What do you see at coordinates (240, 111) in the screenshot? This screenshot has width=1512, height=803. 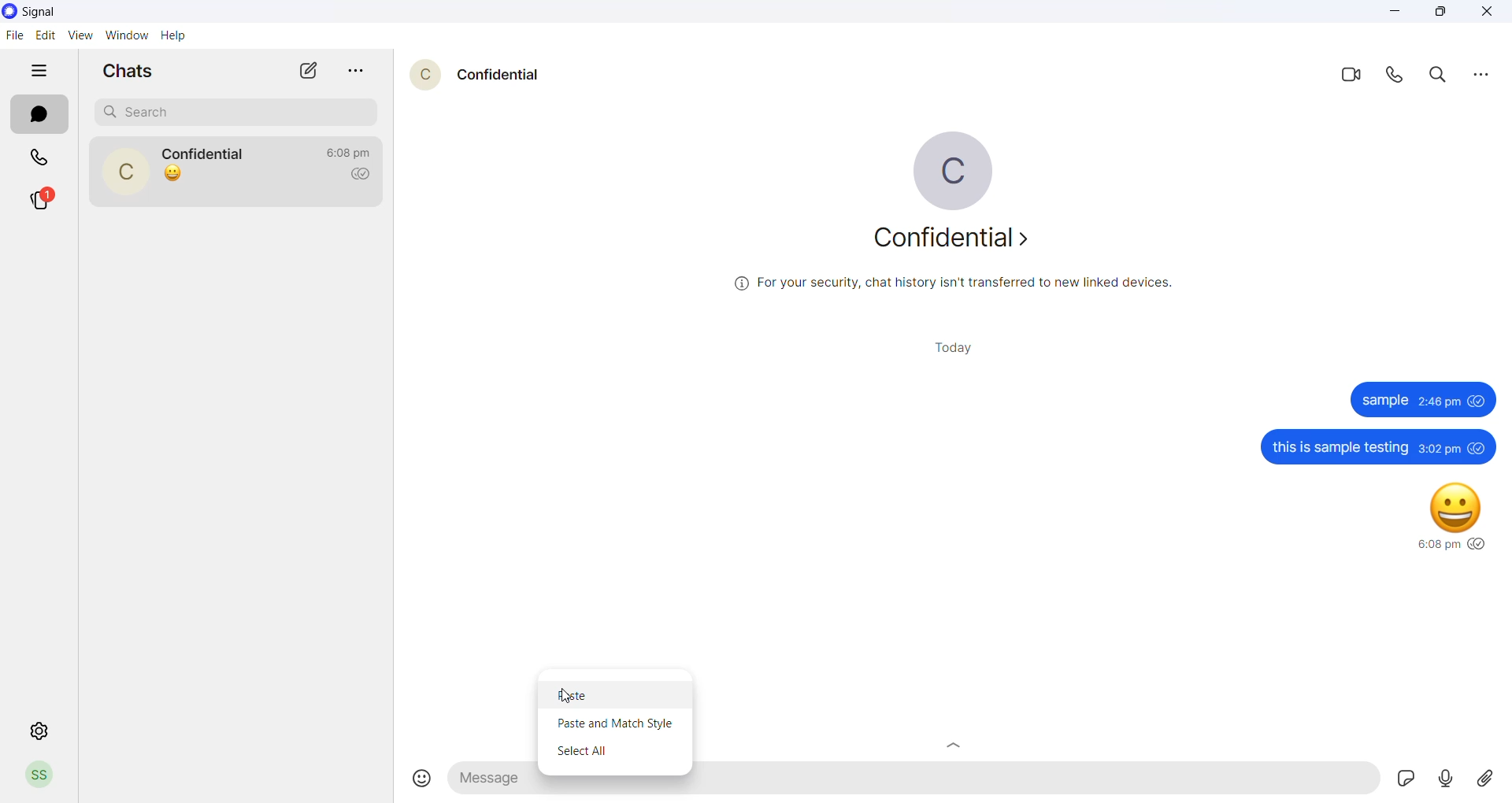 I see `search chat` at bounding box center [240, 111].